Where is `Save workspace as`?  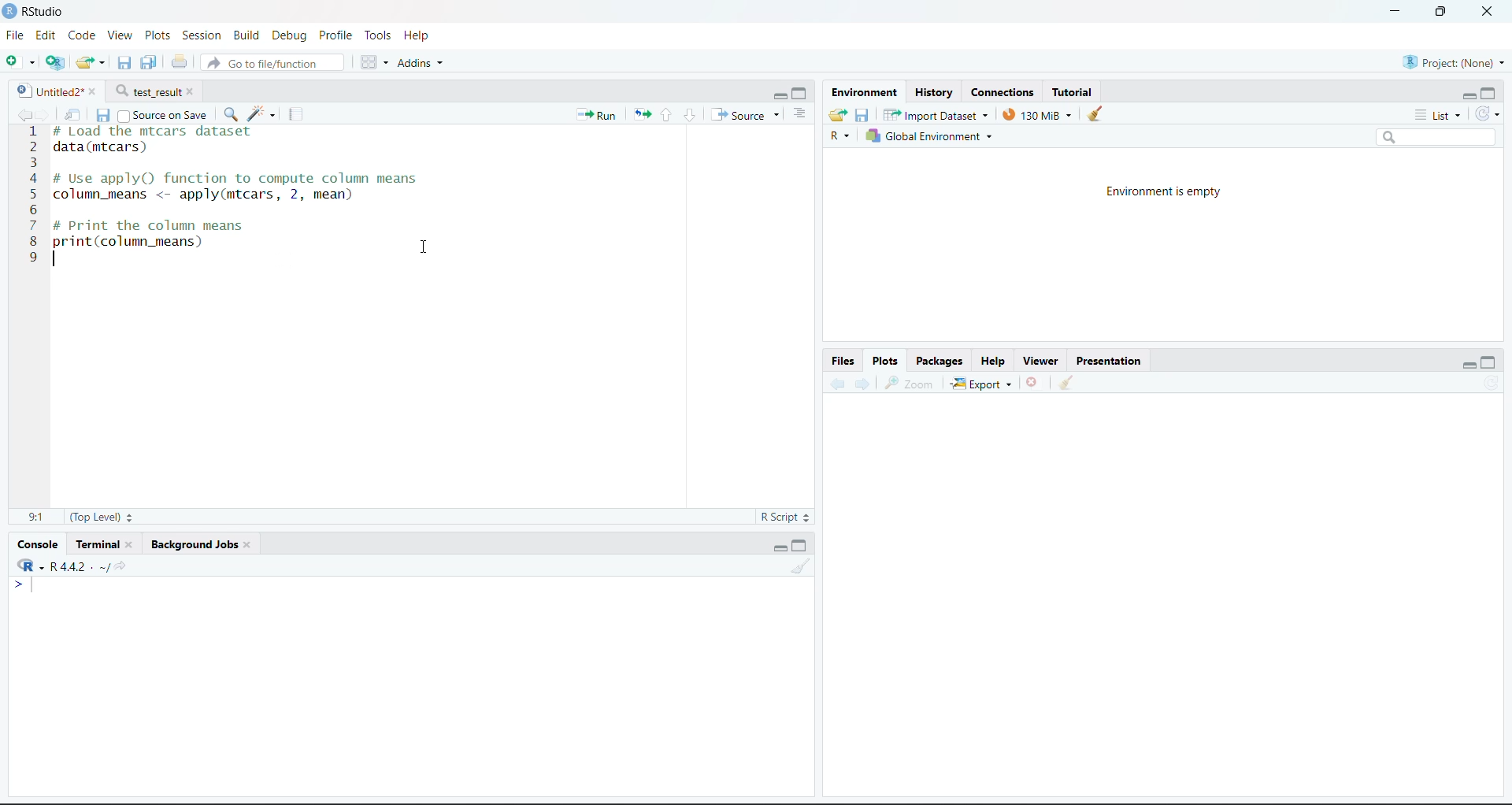 Save workspace as is located at coordinates (863, 113).